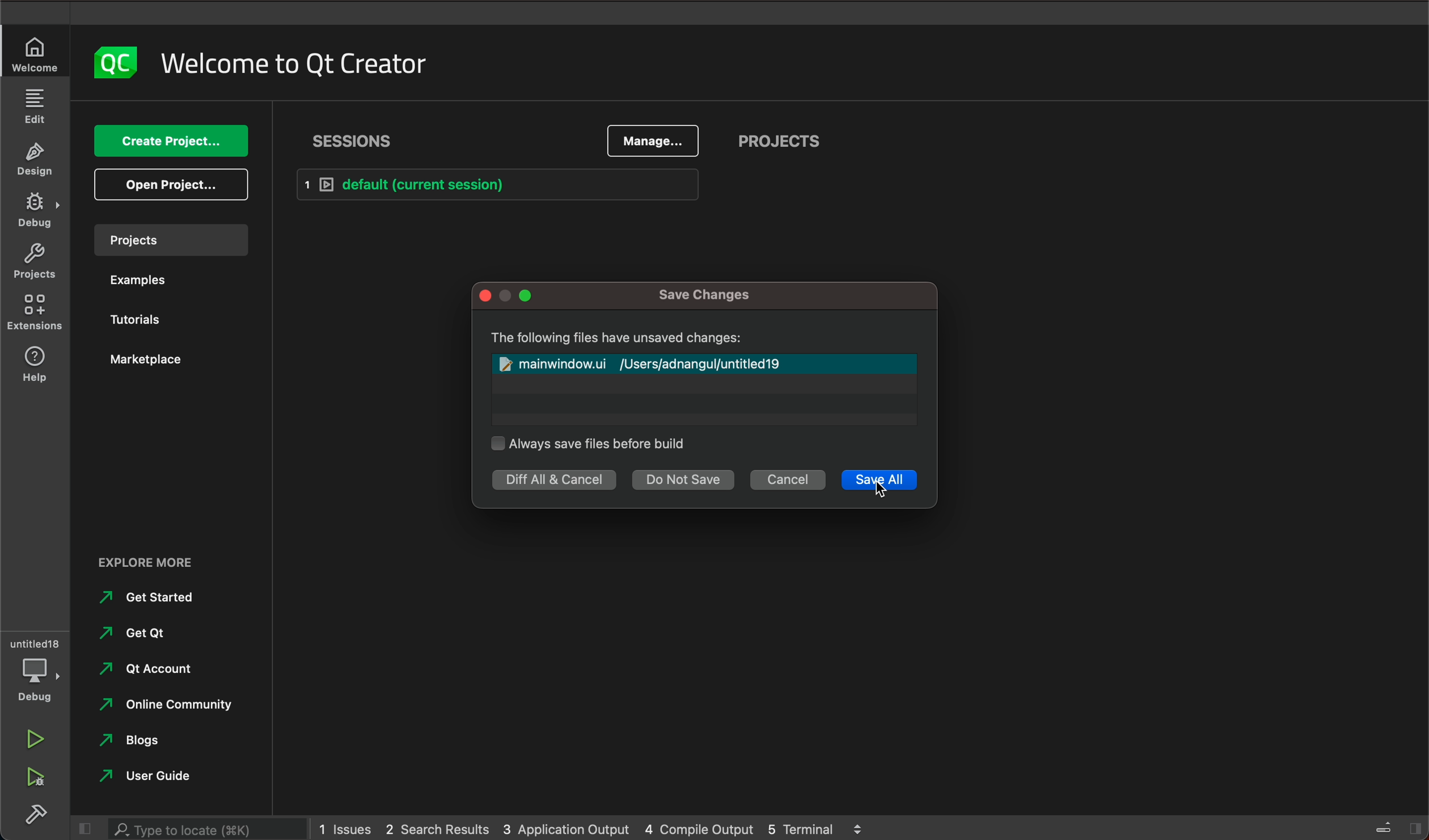 This screenshot has height=840, width=1429. What do you see at coordinates (527, 296) in the screenshot?
I see `expand` at bounding box center [527, 296].